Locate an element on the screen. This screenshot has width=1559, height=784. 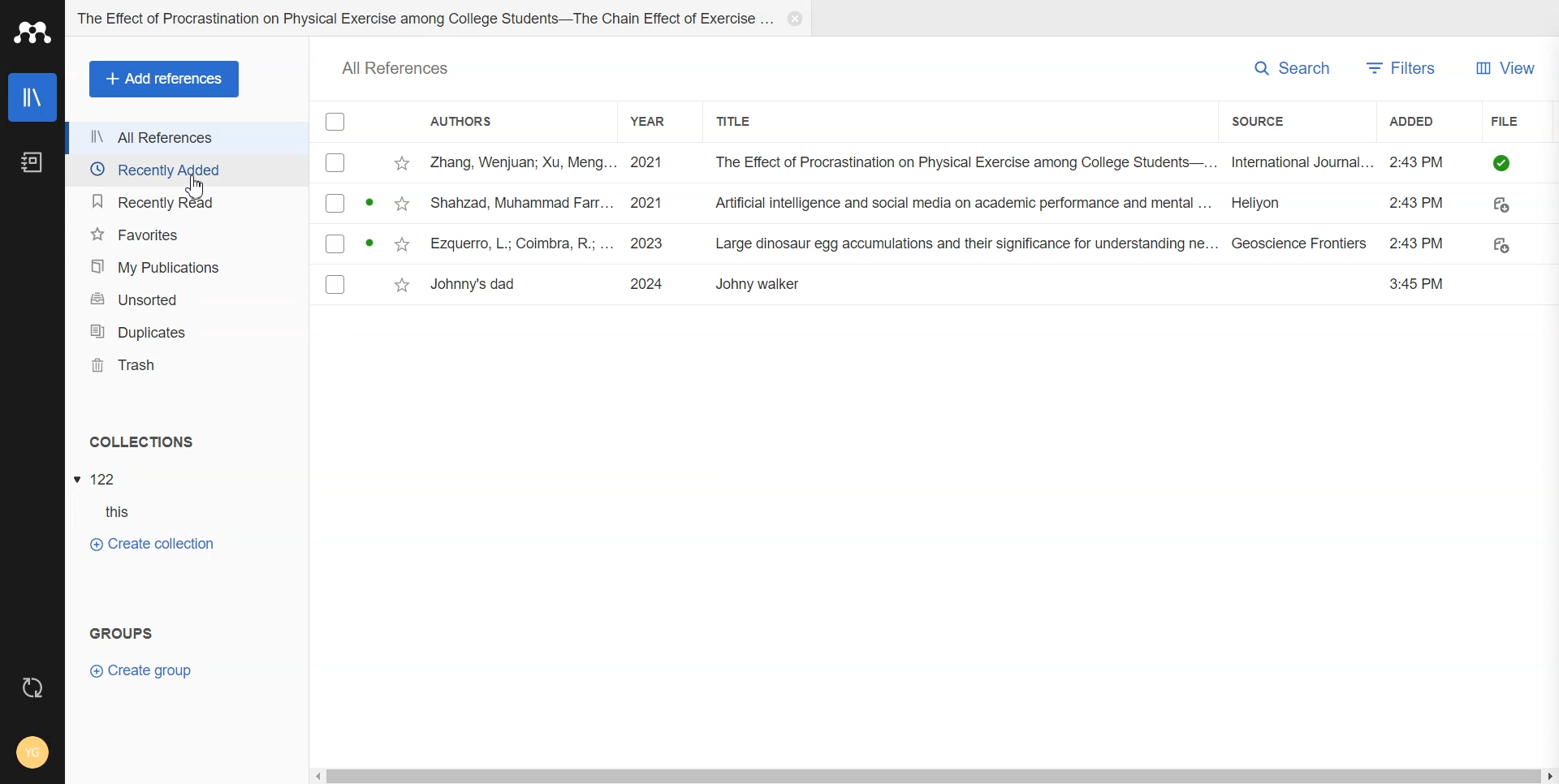
Authors is located at coordinates (507, 121).